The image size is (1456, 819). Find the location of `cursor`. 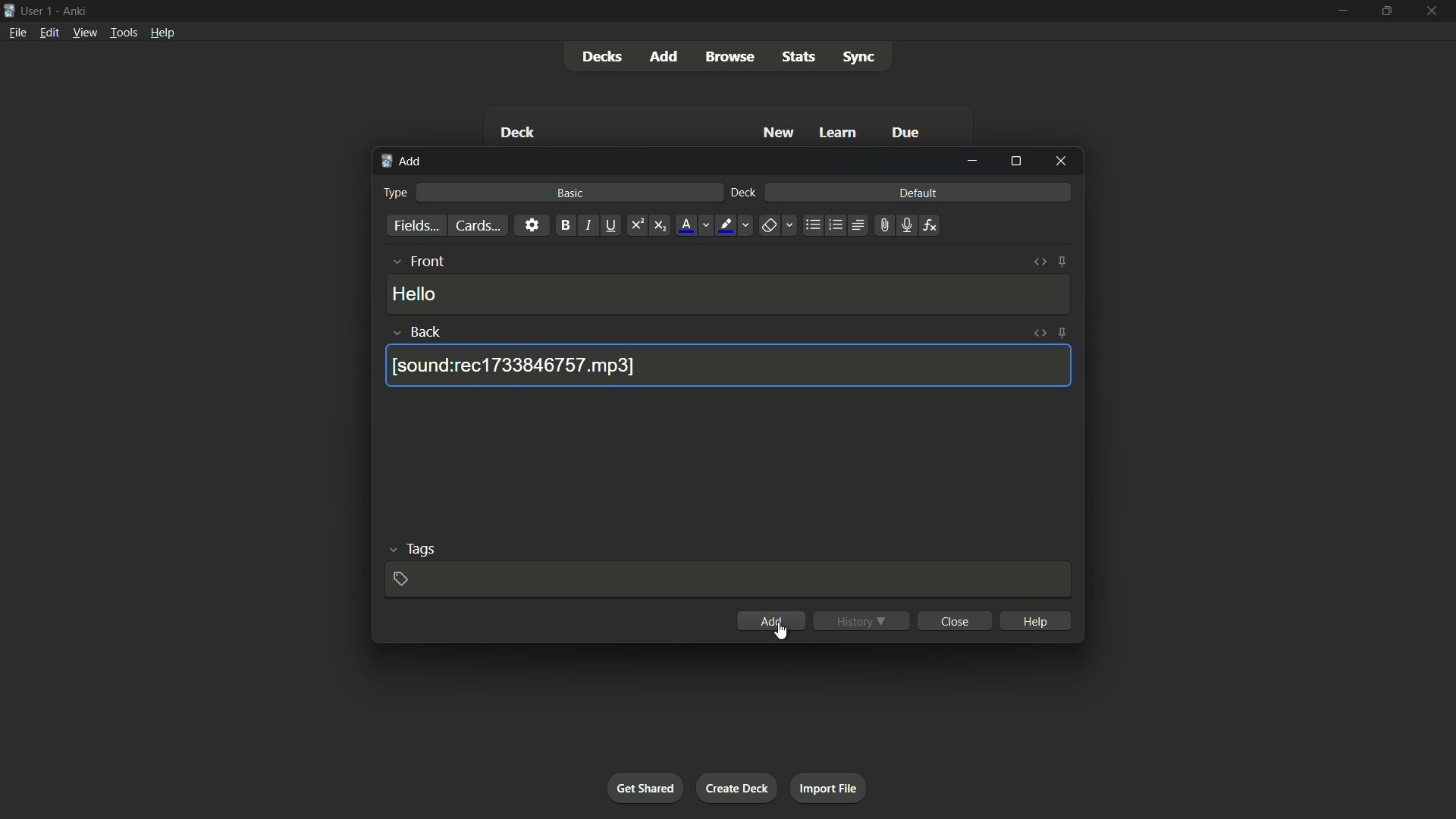

cursor is located at coordinates (781, 633).